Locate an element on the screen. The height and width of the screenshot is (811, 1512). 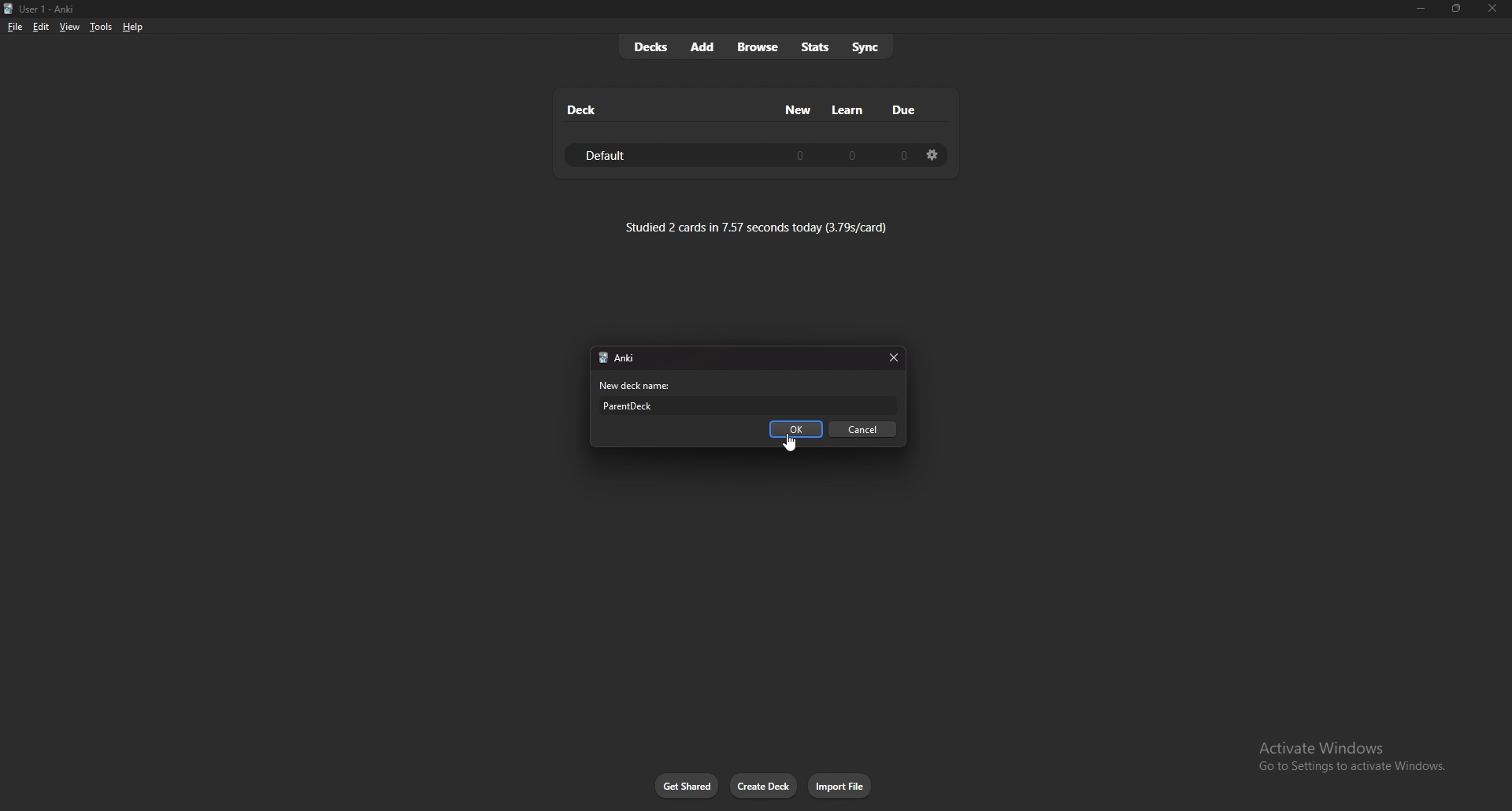
default is located at coordinates (613, 156).